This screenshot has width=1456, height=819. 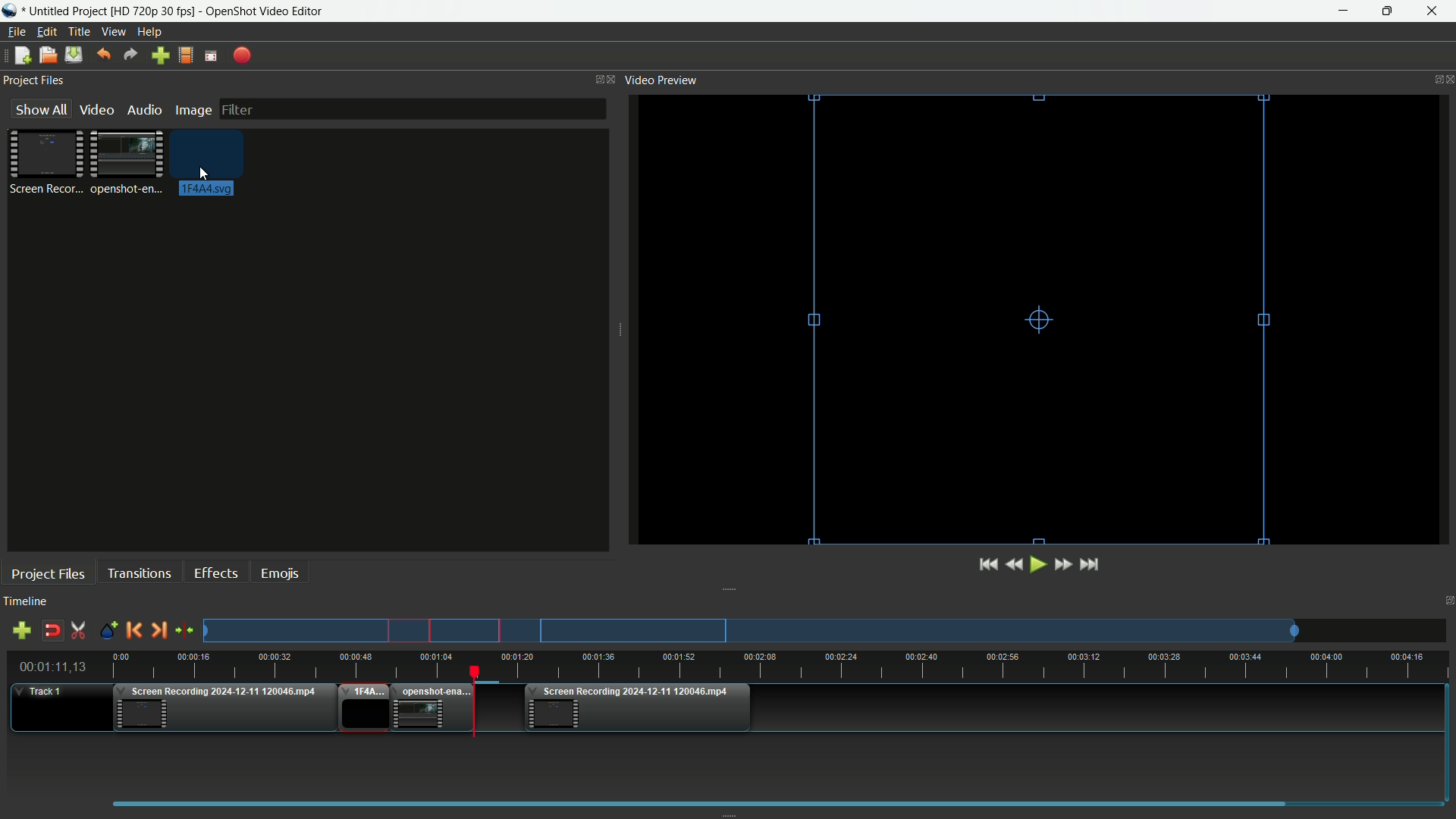 I want to click on help menu, so click(x=151, y=33).